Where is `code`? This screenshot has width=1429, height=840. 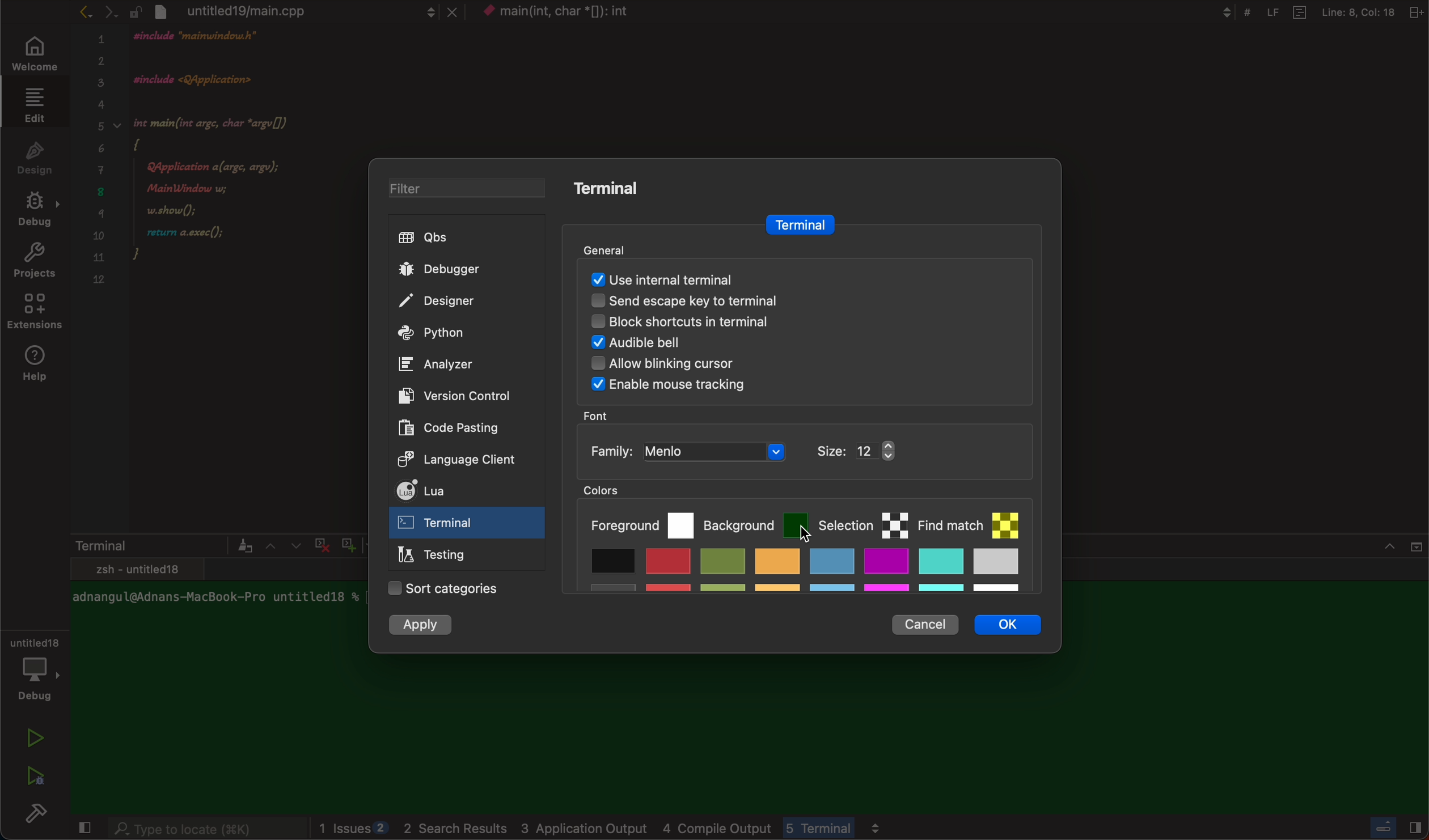
code is located at coordinates (236, 171).